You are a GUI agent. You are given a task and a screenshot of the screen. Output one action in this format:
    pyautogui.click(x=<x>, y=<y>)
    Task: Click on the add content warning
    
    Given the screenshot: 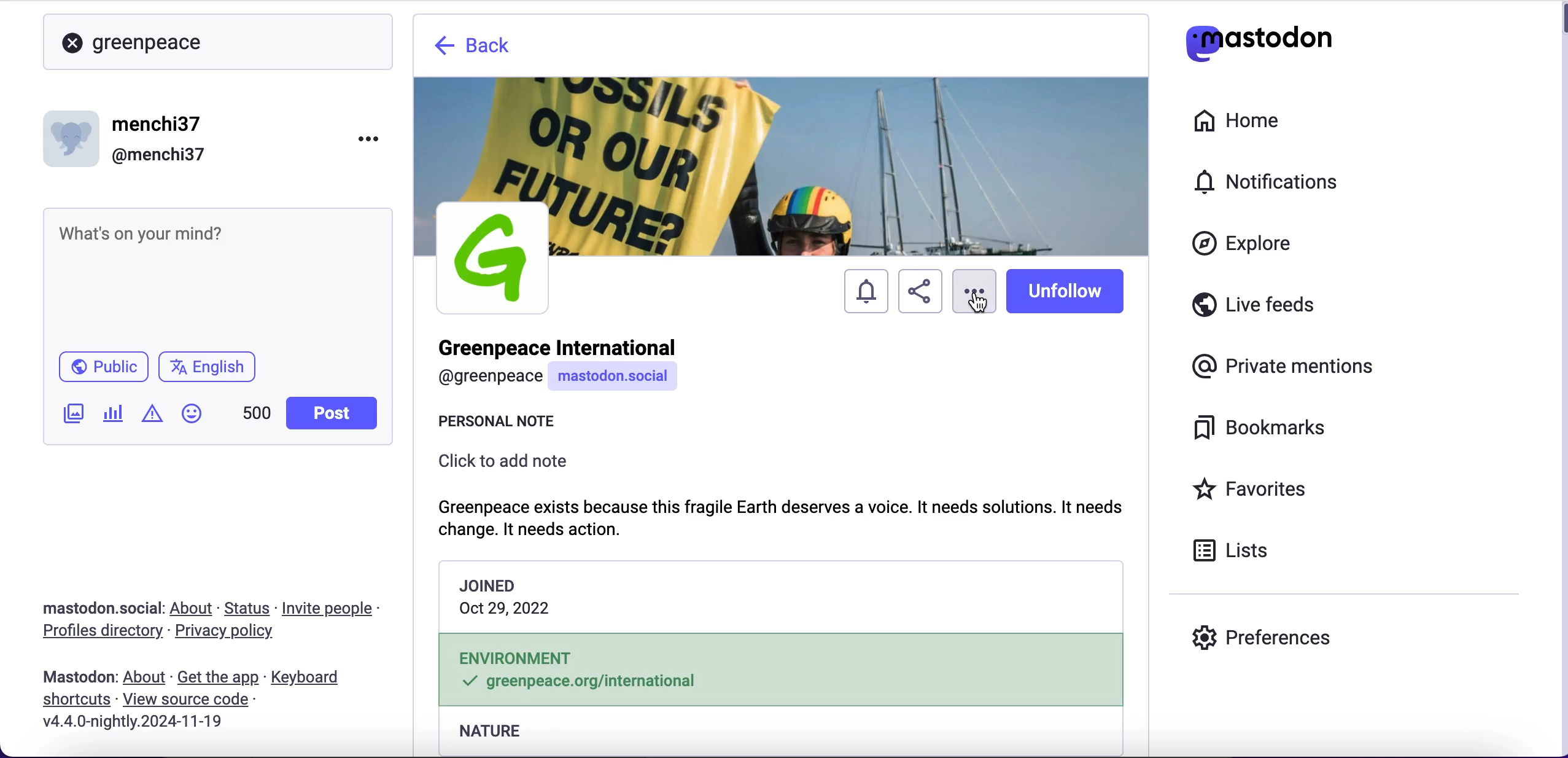 What is the action you would take?
    pyautogui.click(x=155, y=415)
    